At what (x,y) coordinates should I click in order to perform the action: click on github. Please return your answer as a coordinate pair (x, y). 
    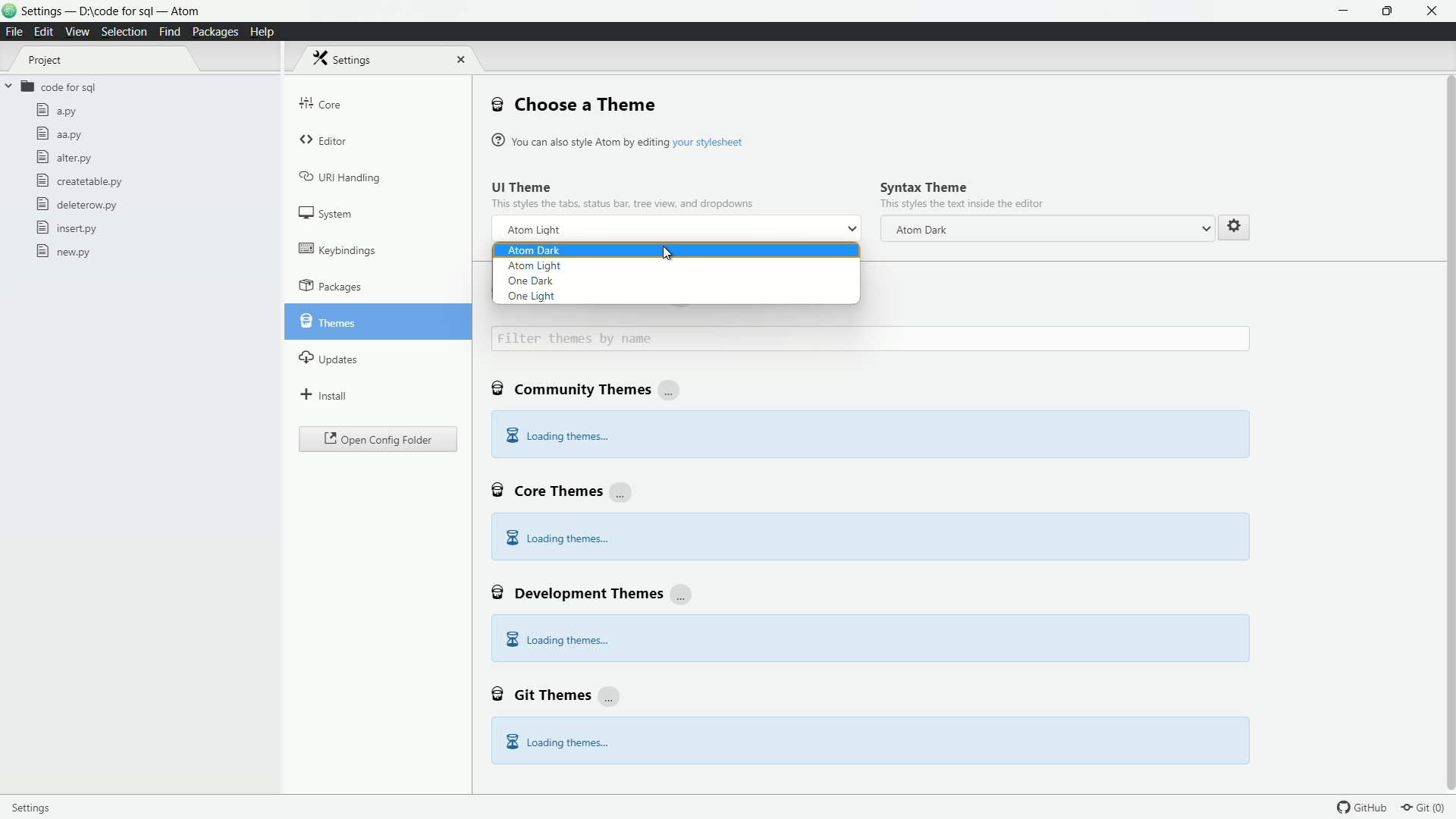
    Looking at the image, I should click on (1364, 807).